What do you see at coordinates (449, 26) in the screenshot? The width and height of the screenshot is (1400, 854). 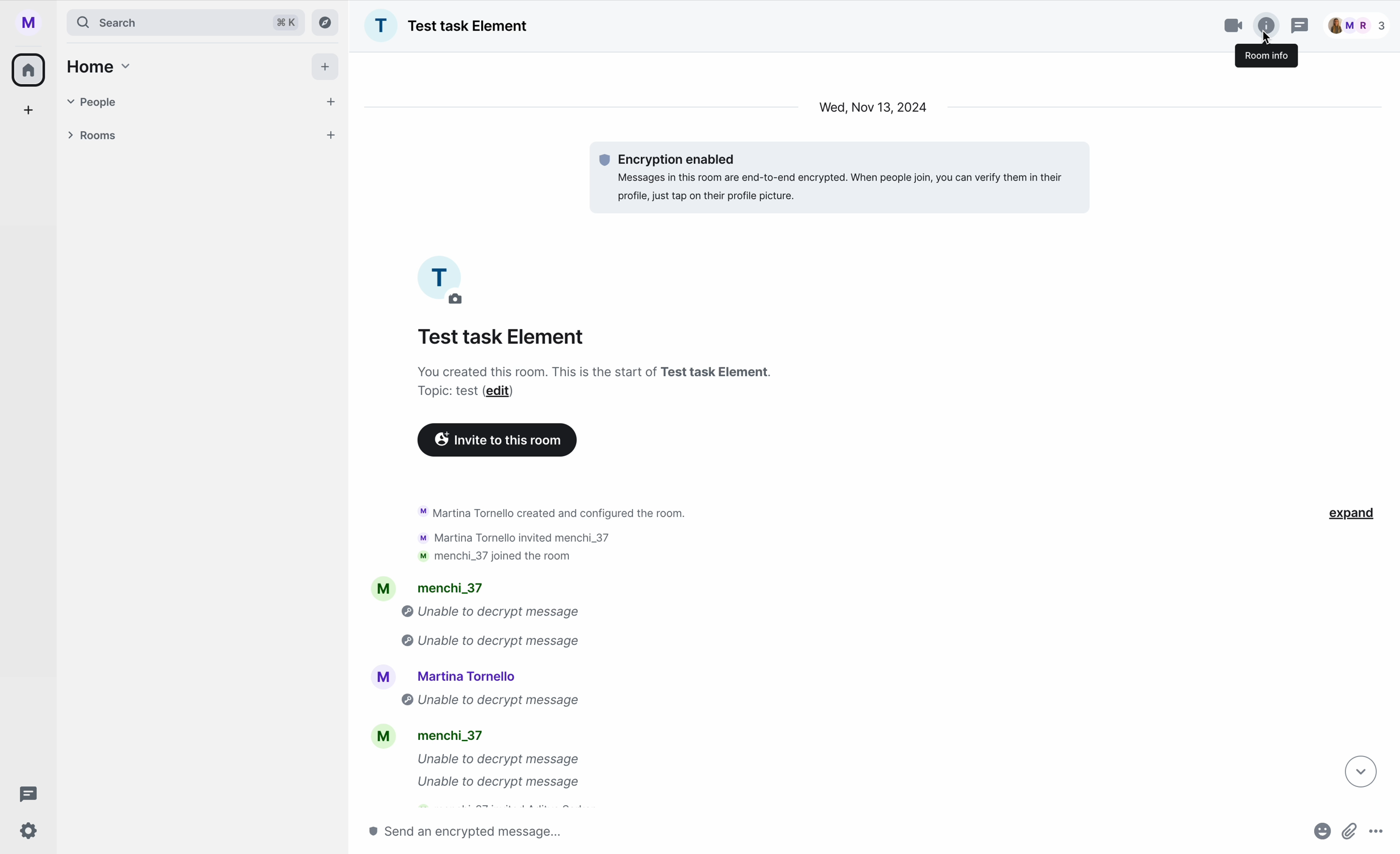 I see `name group` at bounding box center [449, 26].